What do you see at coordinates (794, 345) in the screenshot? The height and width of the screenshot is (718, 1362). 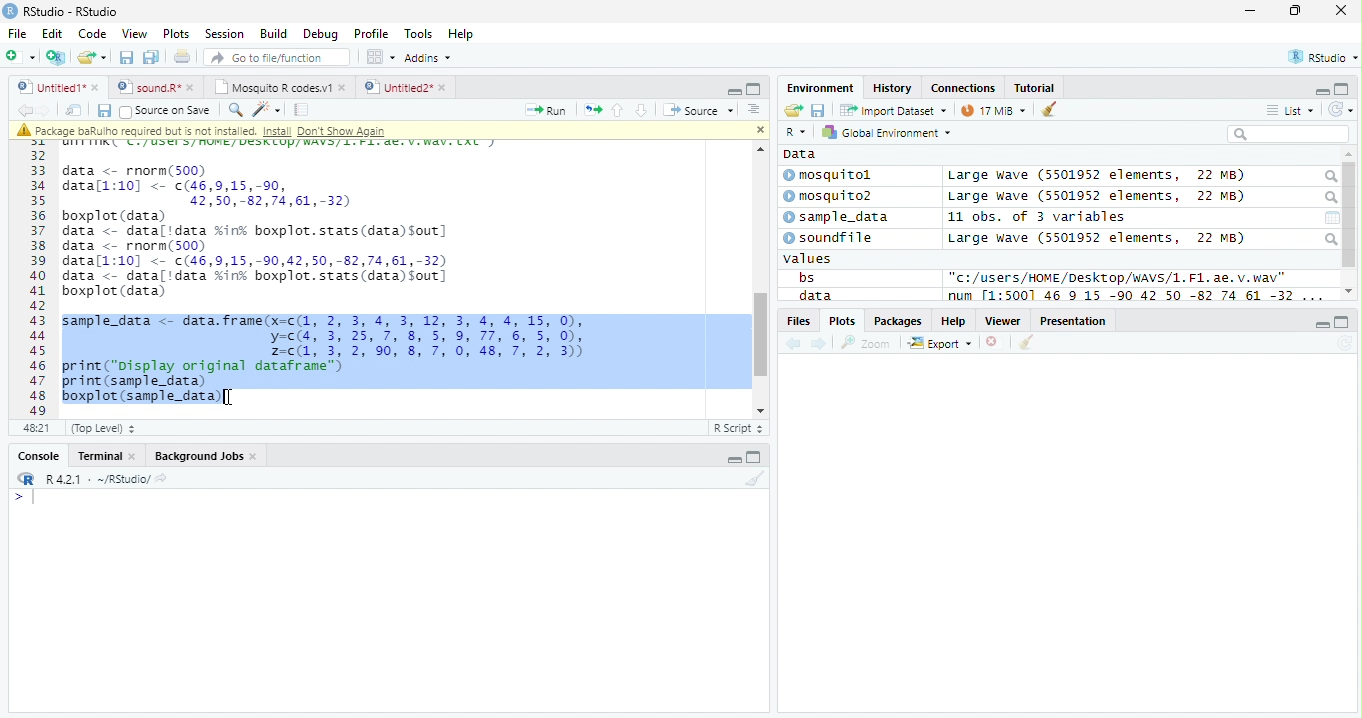 I see `Go backward` at bounding box center [794, 345].